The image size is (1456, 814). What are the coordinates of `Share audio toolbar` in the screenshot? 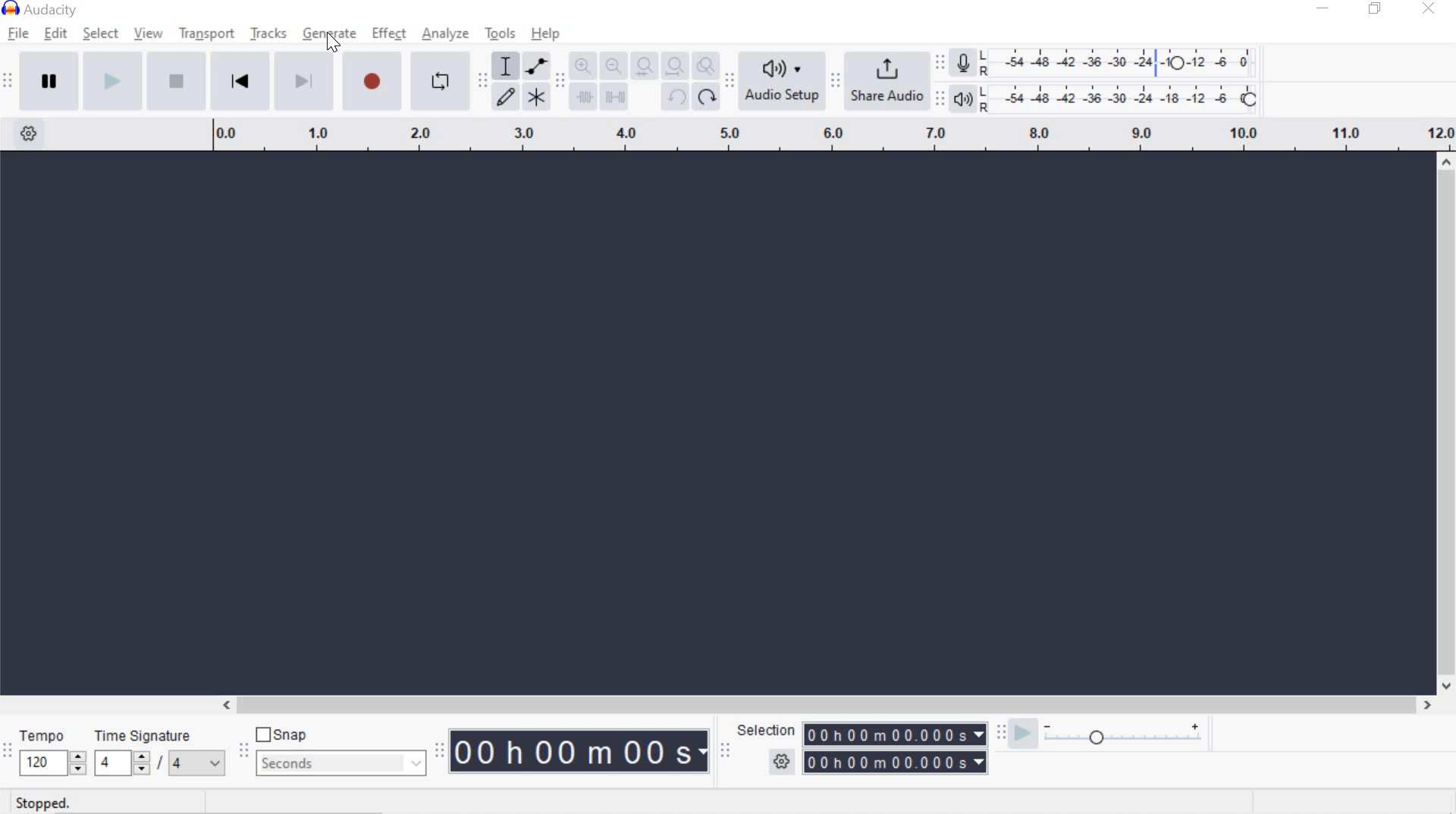 It's located at (833, 80).